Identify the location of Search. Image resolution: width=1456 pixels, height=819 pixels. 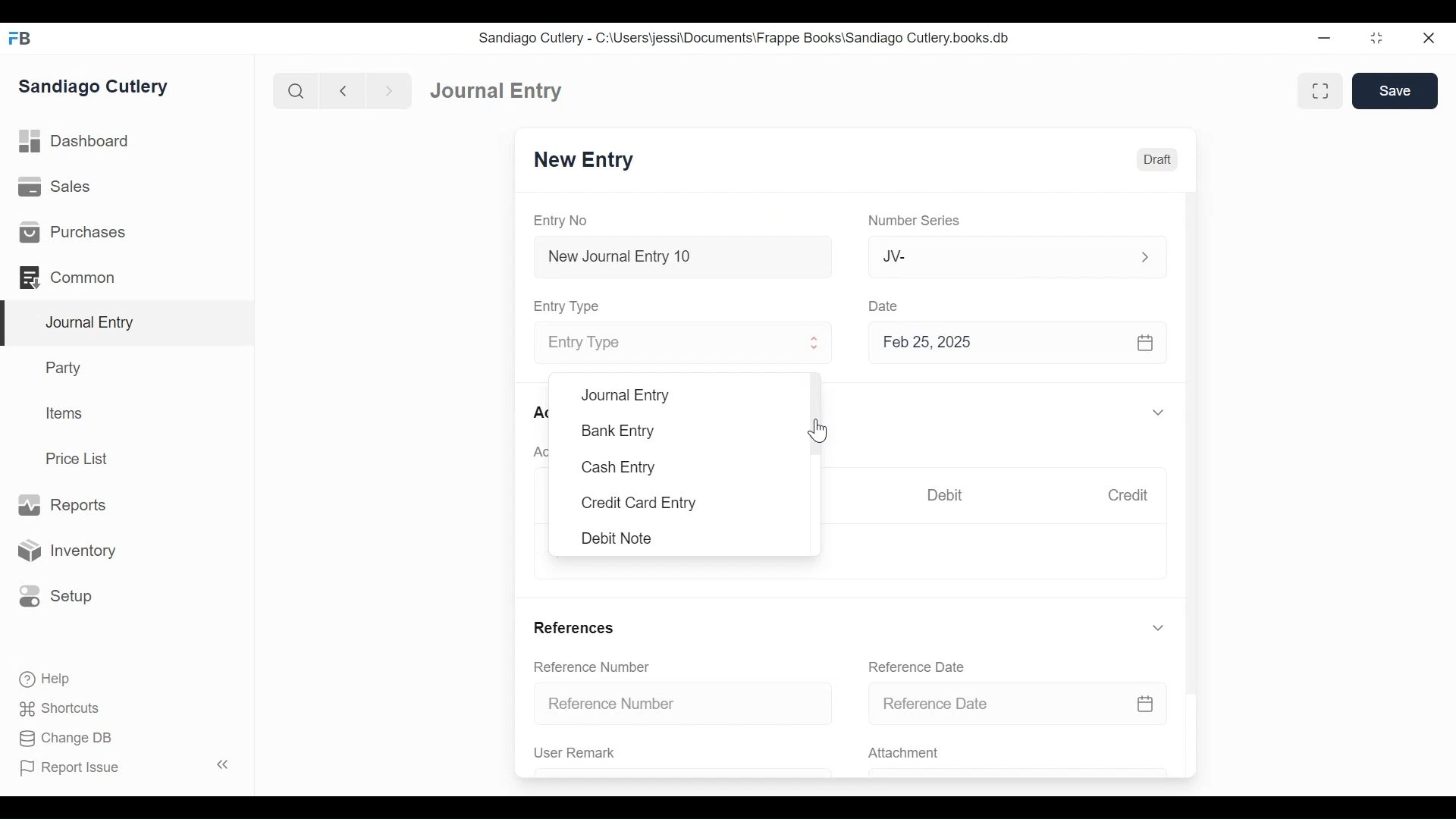
(297, 90).